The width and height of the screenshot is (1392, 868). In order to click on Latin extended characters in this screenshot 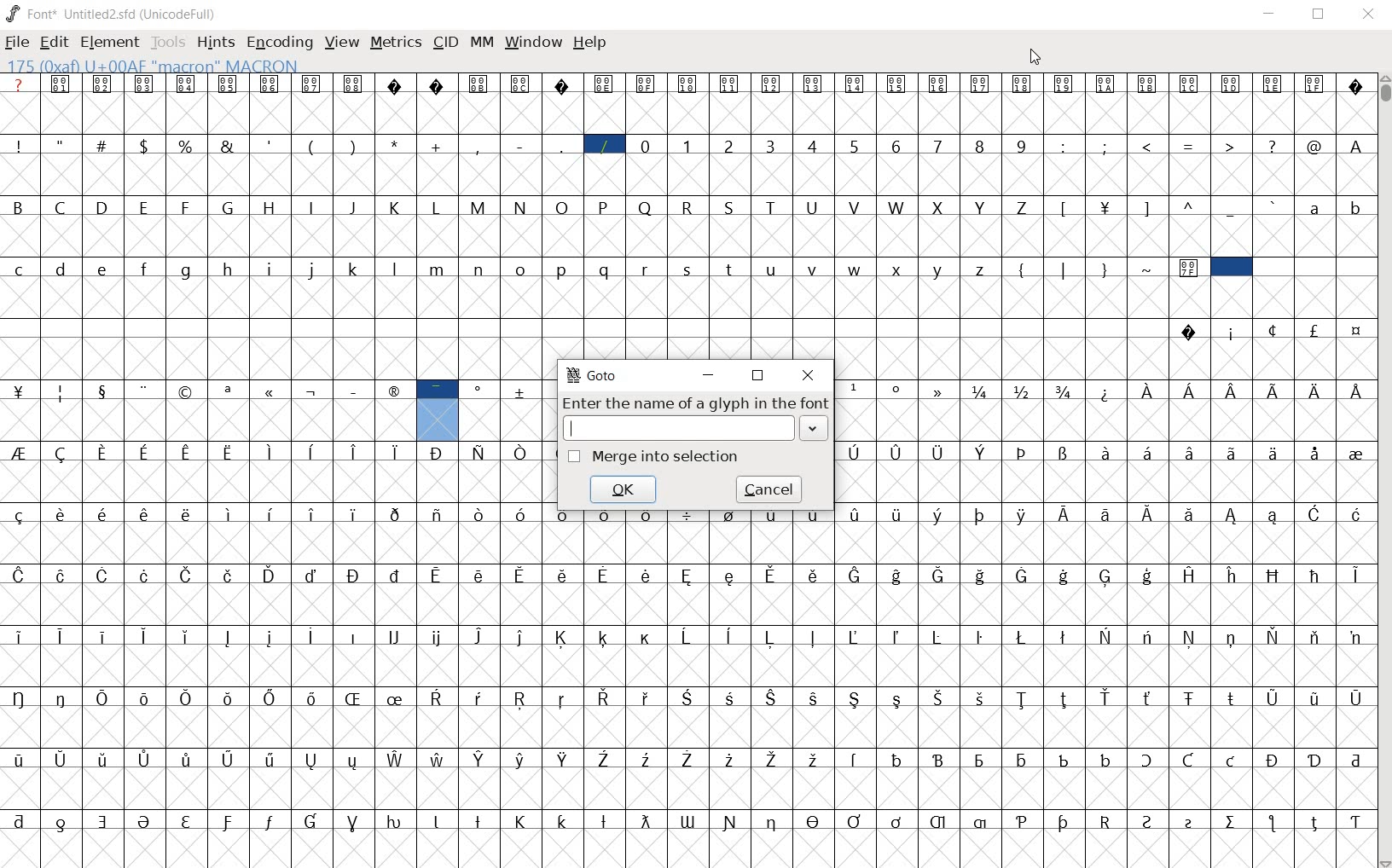, I will do `click(1018, 718)`.